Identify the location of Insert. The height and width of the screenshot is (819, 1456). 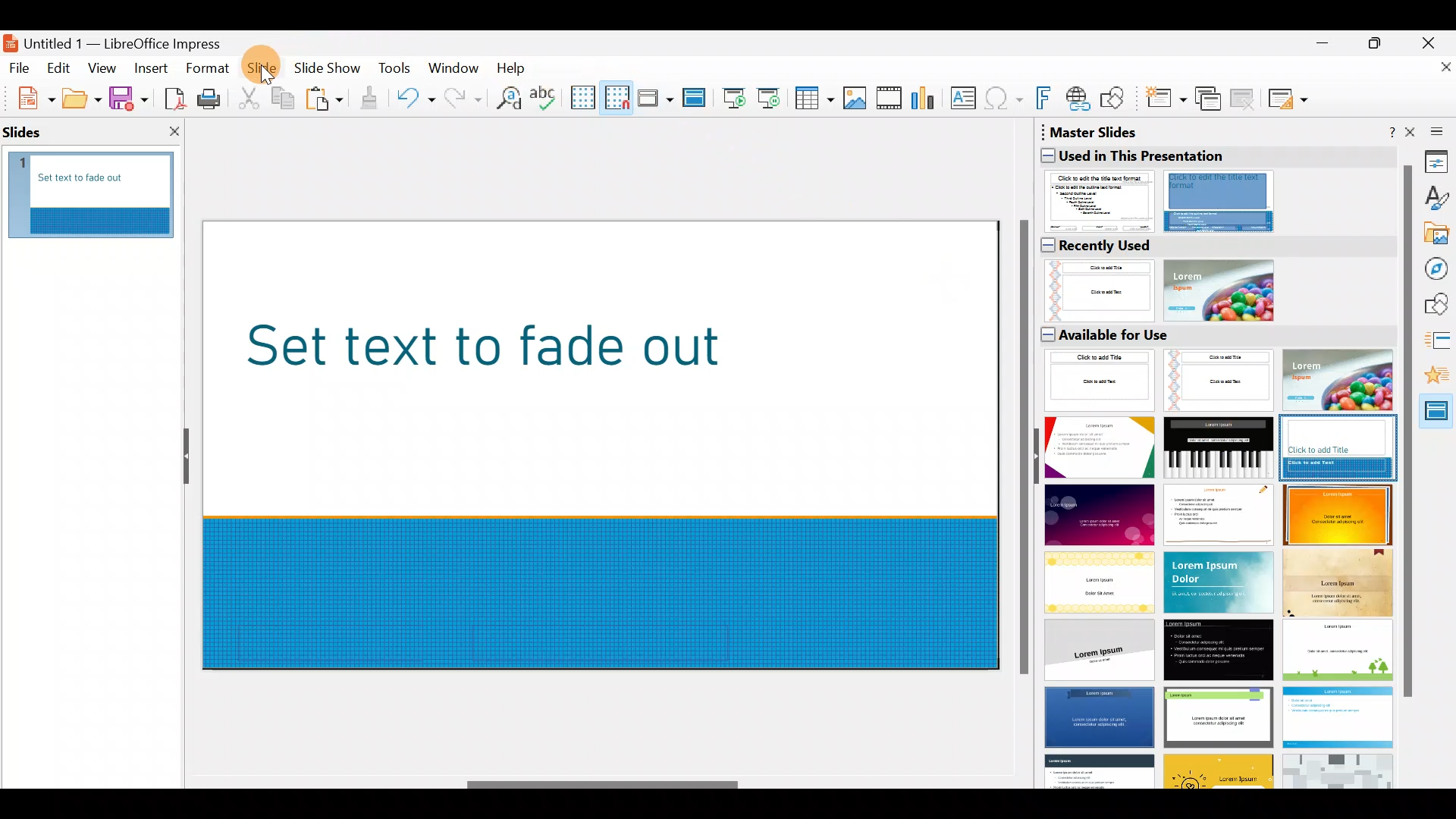
(150, 68).